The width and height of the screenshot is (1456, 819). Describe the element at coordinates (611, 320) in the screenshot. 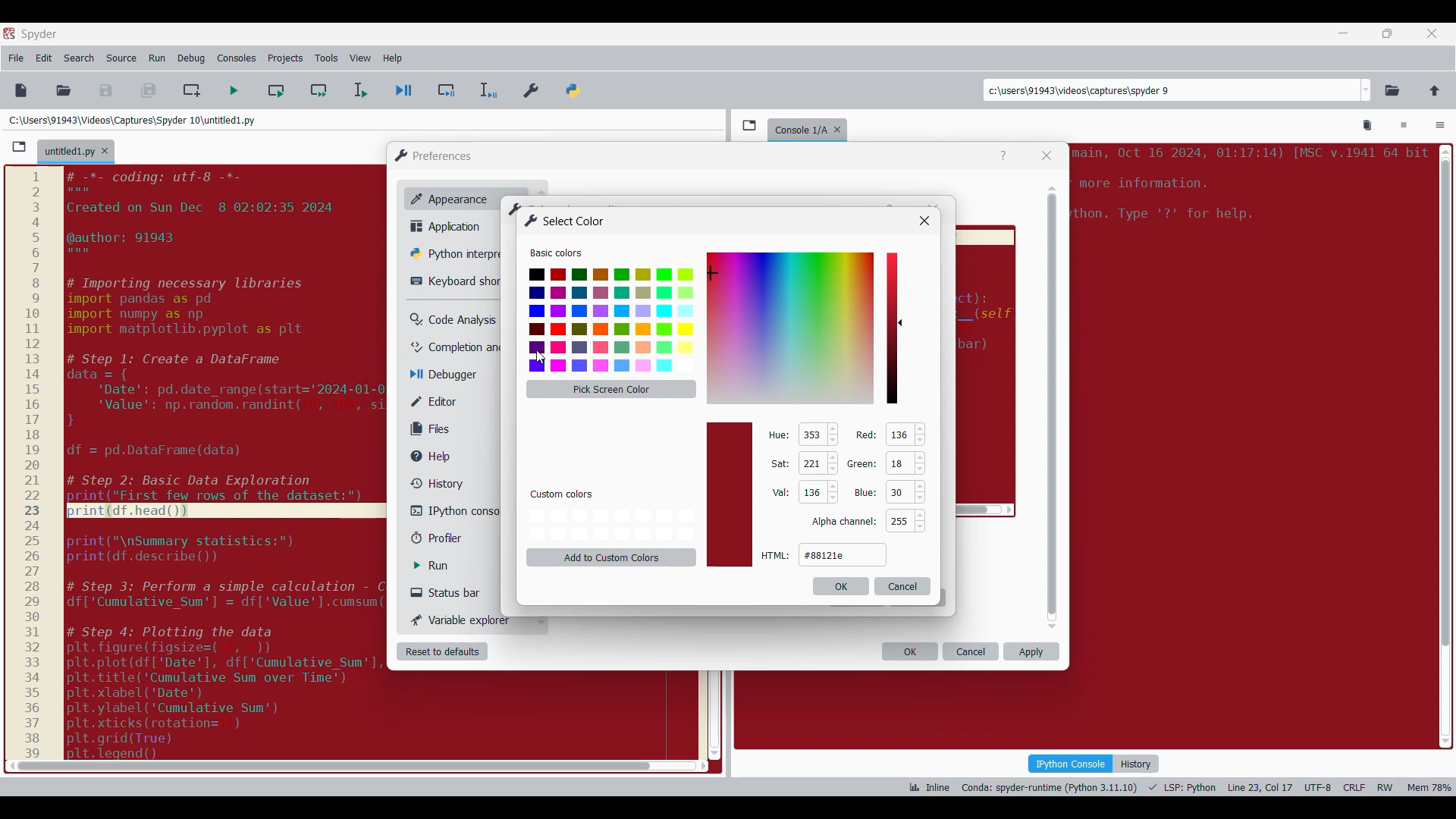

I see `Basic color options` at that location.